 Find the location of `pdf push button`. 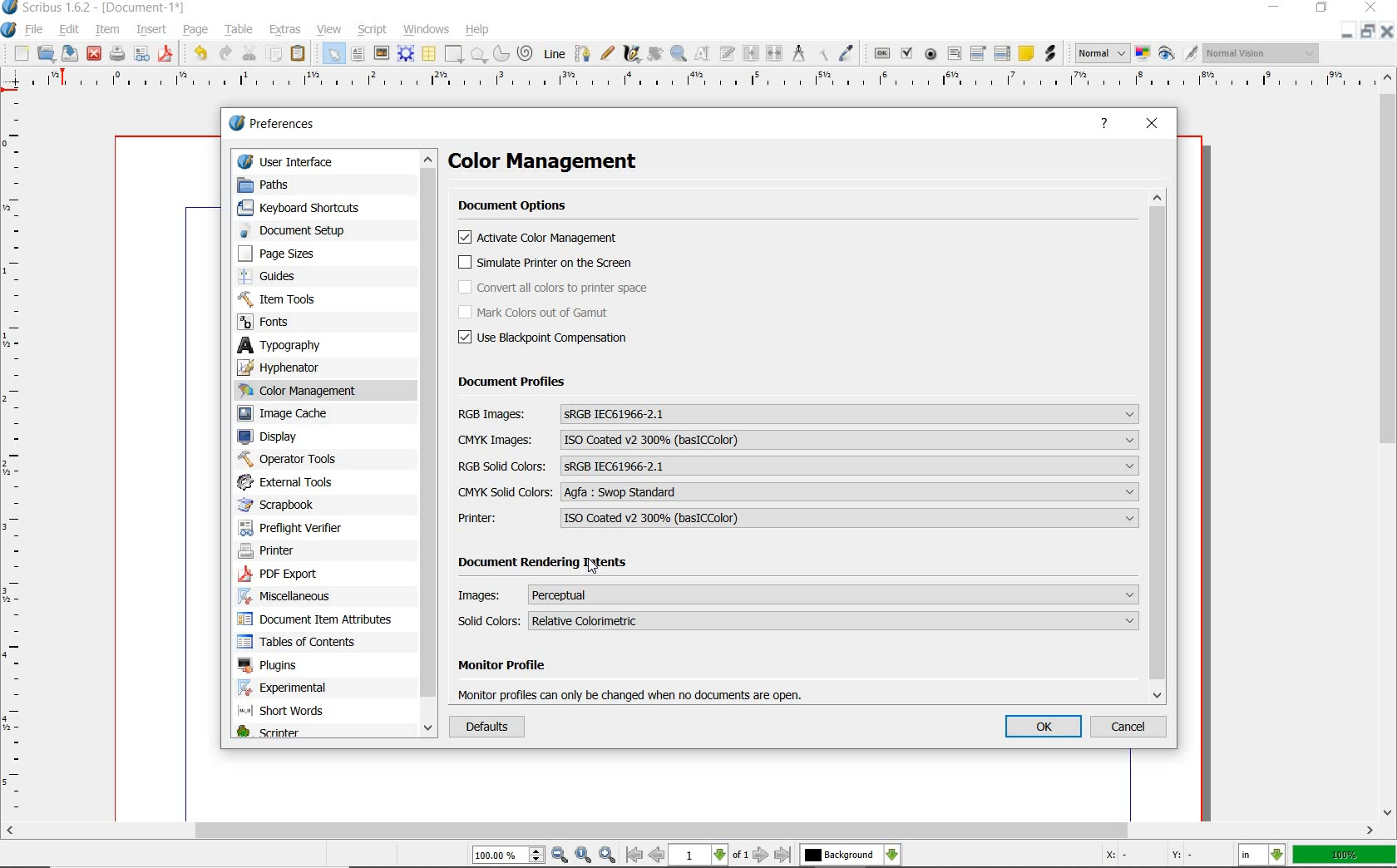

pdf push button is located at coordinates (881, 53).